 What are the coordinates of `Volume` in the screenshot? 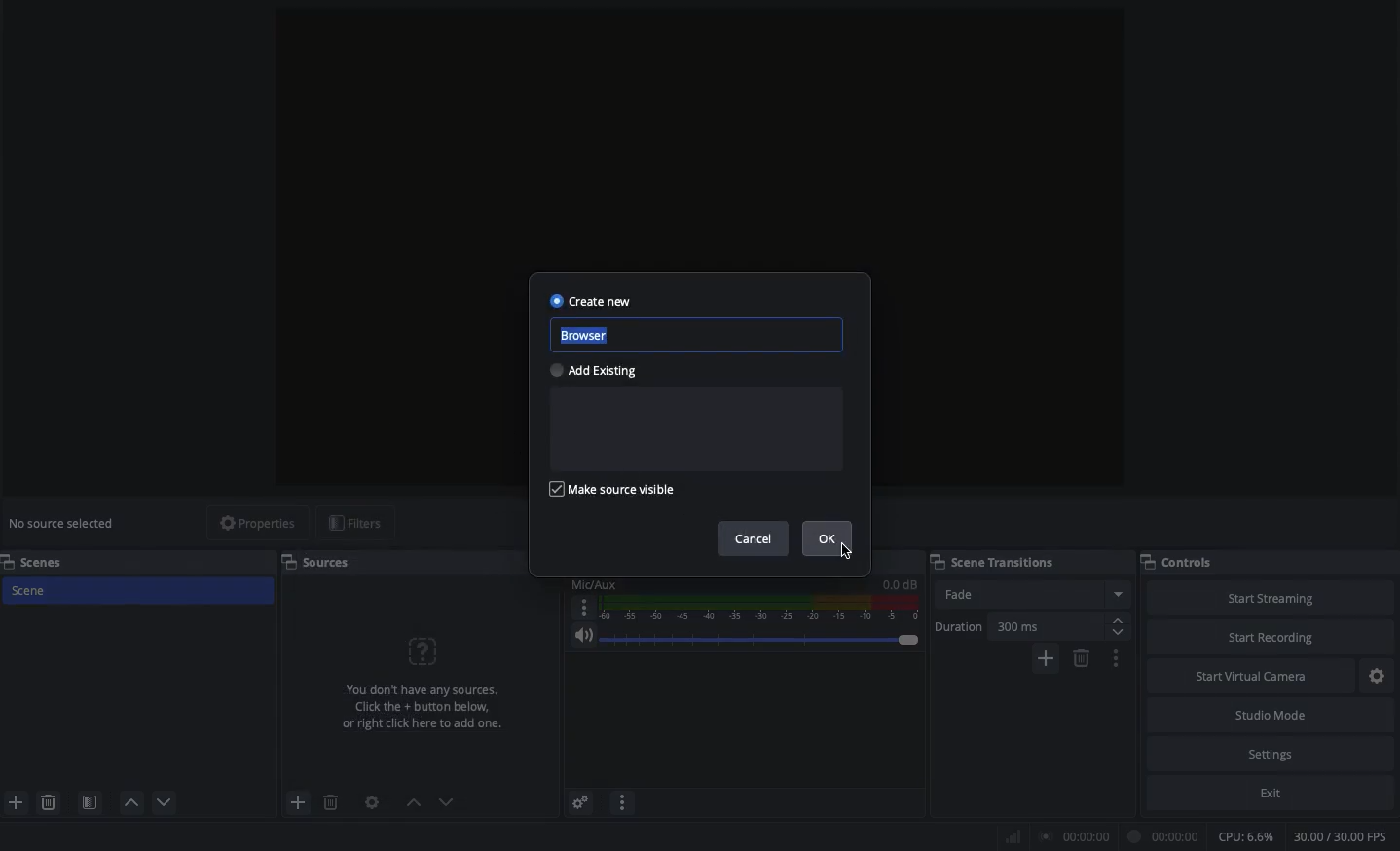 It's located at (743, 637).